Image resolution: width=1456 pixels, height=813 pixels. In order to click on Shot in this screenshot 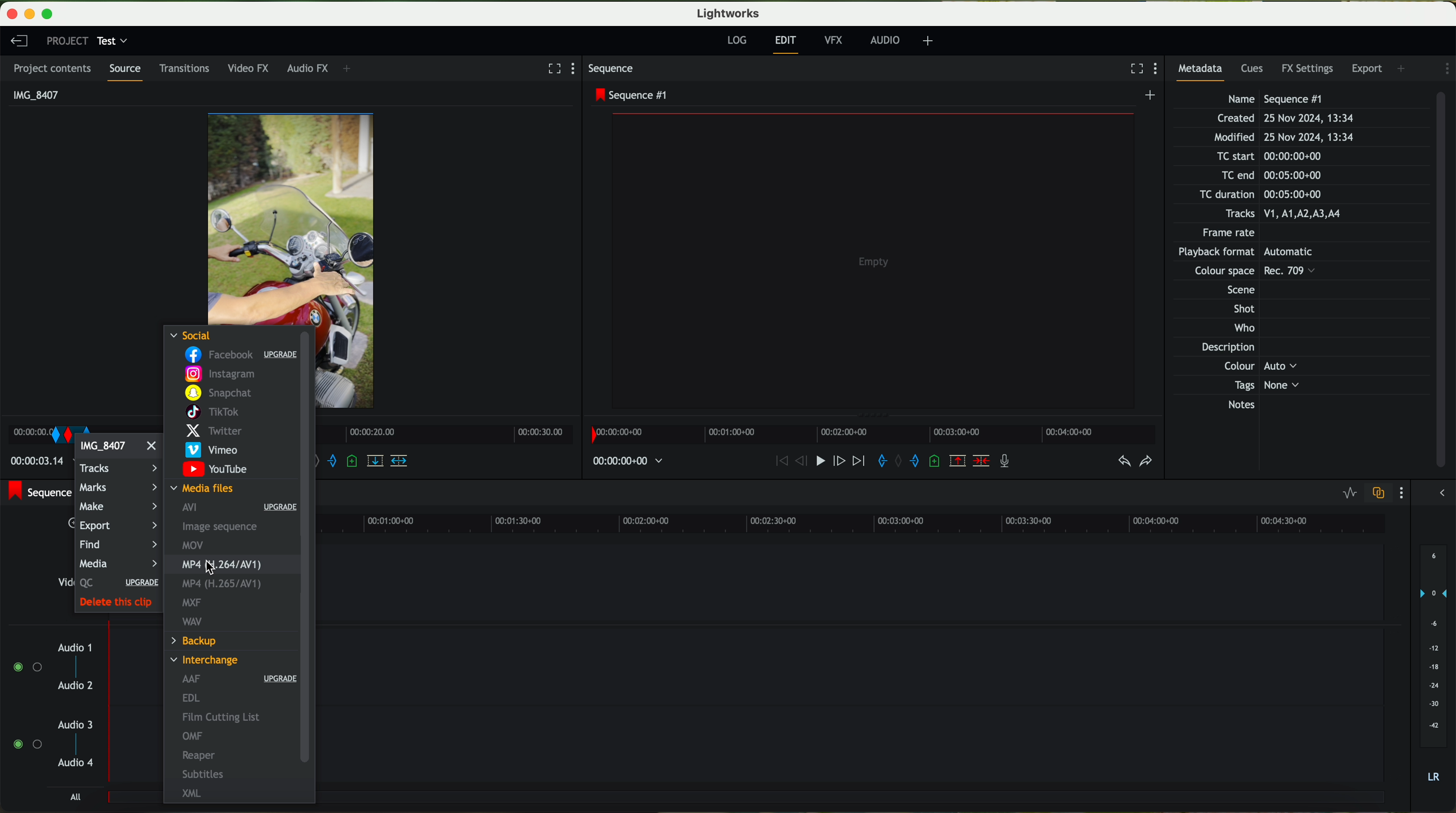, I will do `click(1242, 309)`.